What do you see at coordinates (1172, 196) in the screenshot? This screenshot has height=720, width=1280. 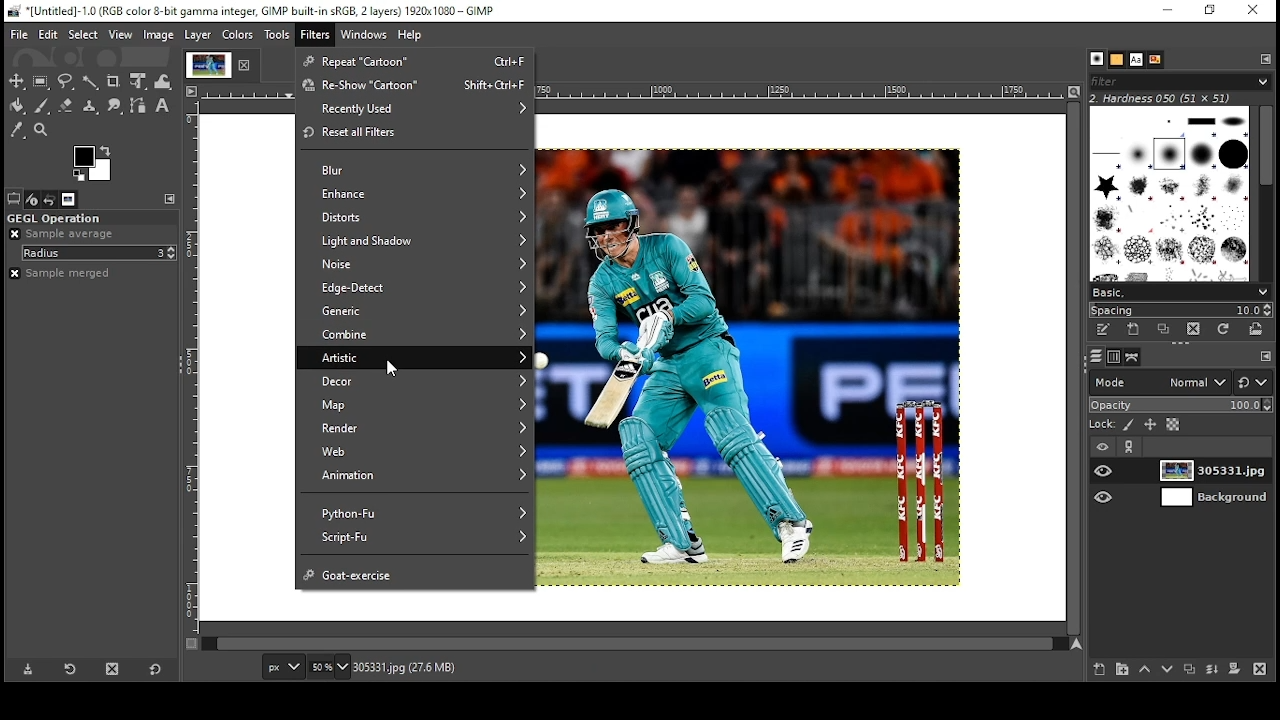 I see `brushes` at bounding box center [1172, 196].